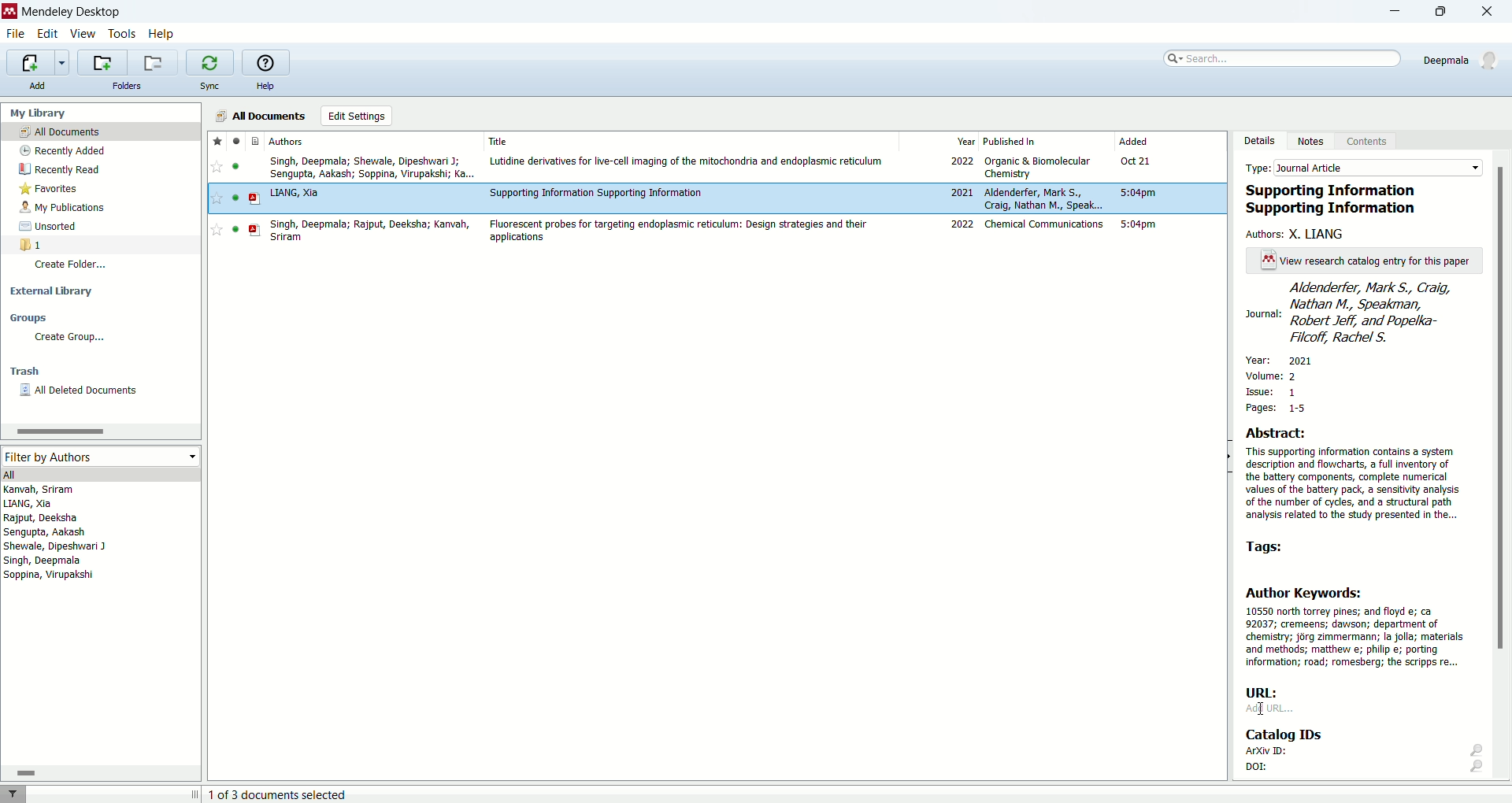 This screenshot has height=803, width=1512. What do you see at coordinates (963, 224) in the screenshot?
I see `2022` at bounding box center [963, 224].